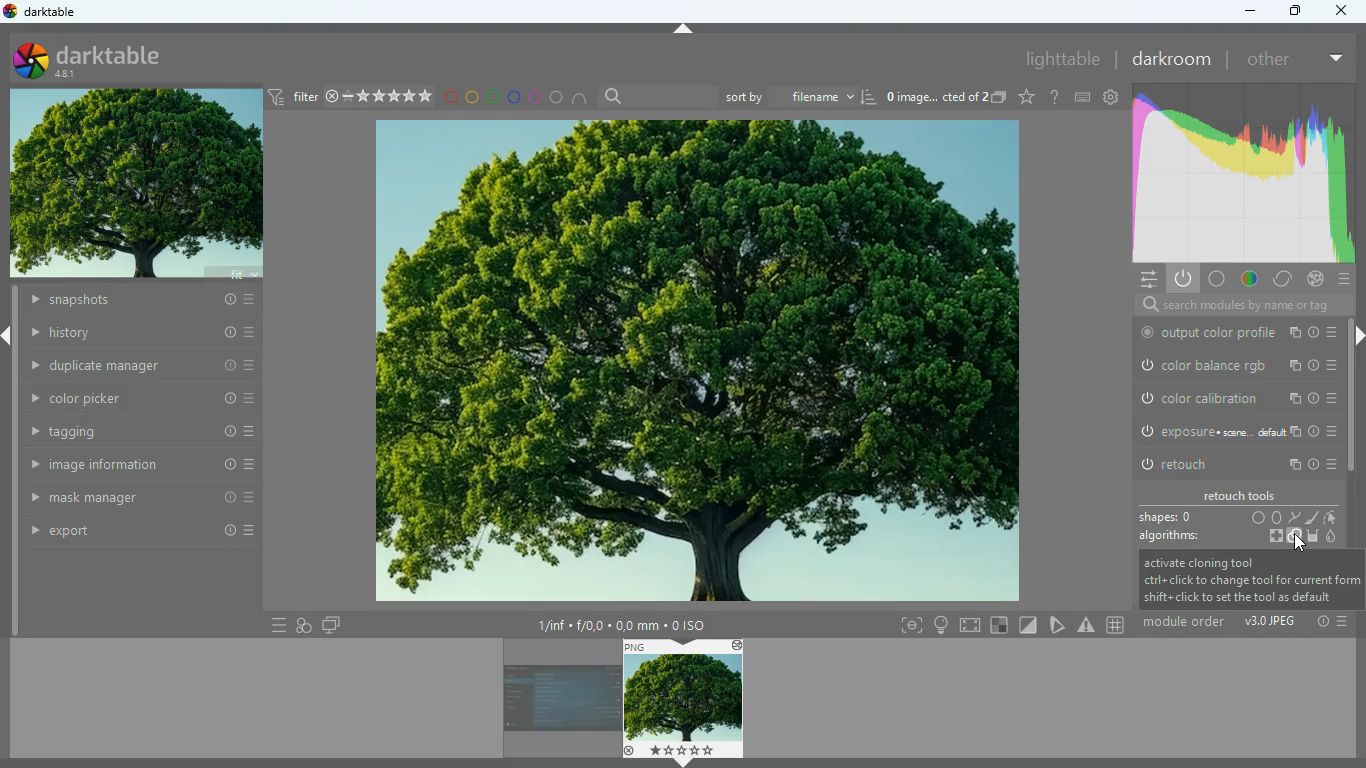 This screenshot has height=768, width=1366. I want to click on sort by filename, so click(798, 98).